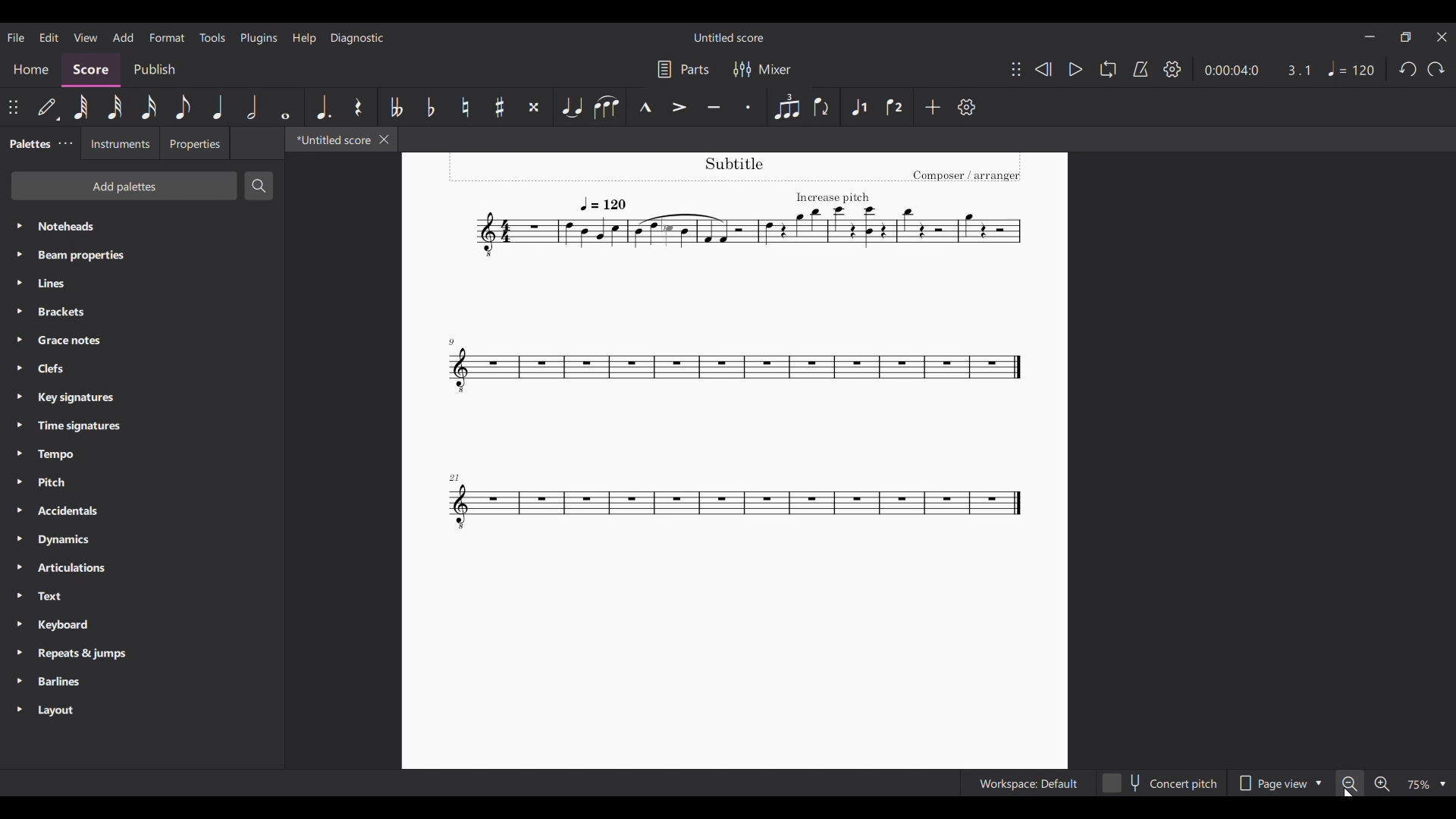 Image resolution: width=1456 pixels, height=819 pixels. Describe the element at coordinates (1028, 783) in the screenshot. I see `Workspace: Default` at that location.